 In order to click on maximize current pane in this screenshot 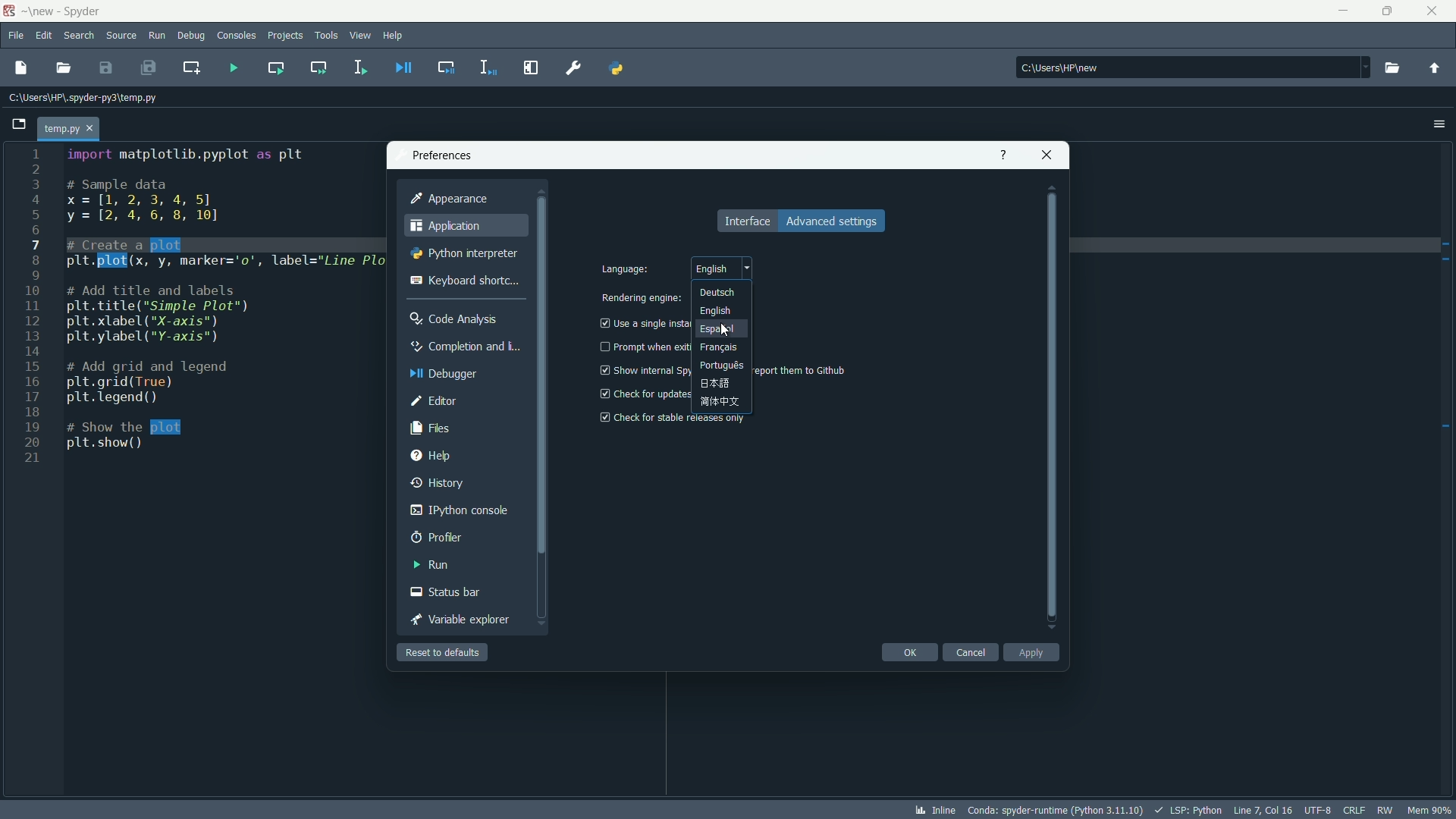, I will do `click(530, 67)`.